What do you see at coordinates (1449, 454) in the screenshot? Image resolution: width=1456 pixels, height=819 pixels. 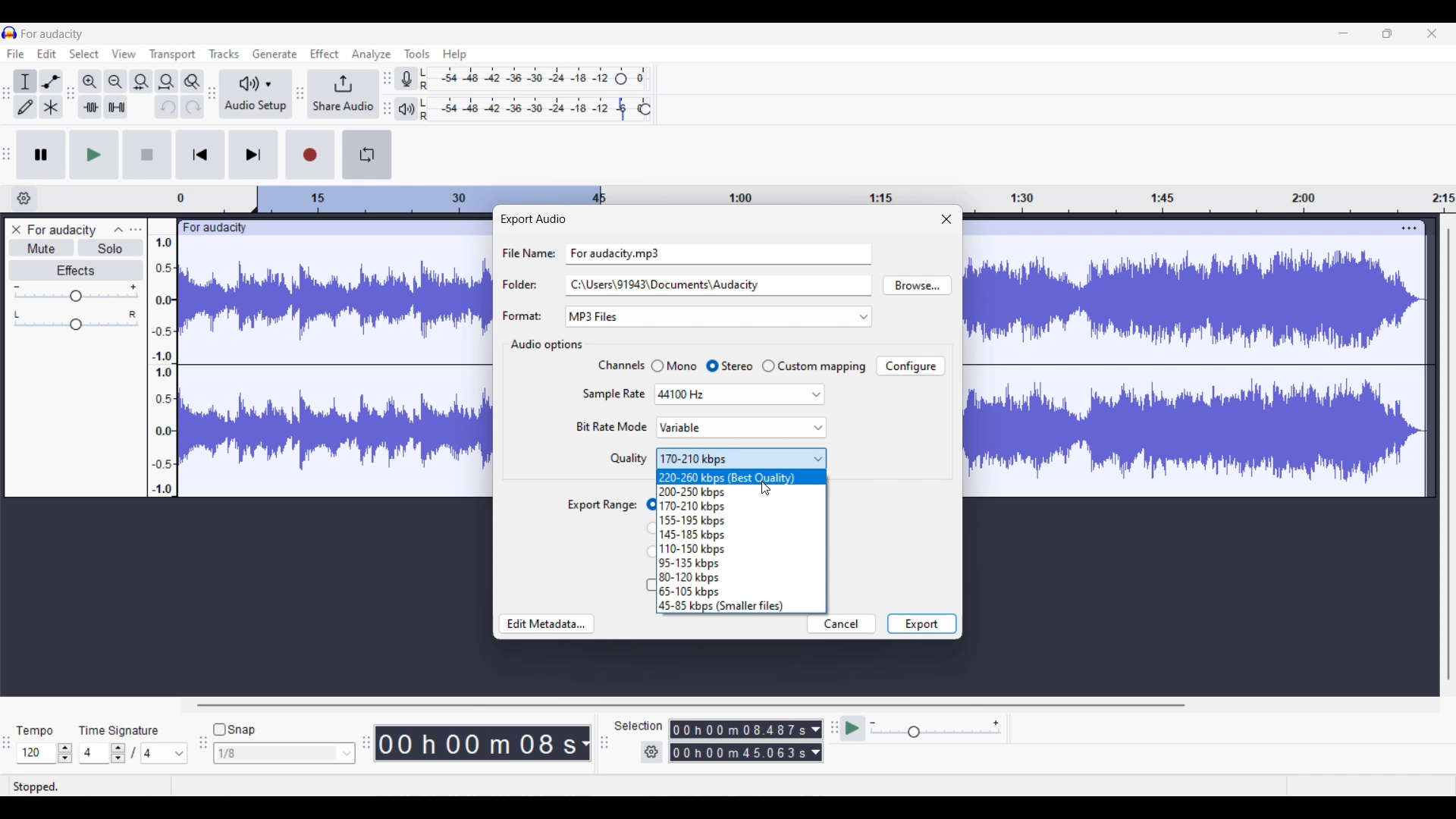 I see `Vertical slide bar` at bounding box center [1449, 454].